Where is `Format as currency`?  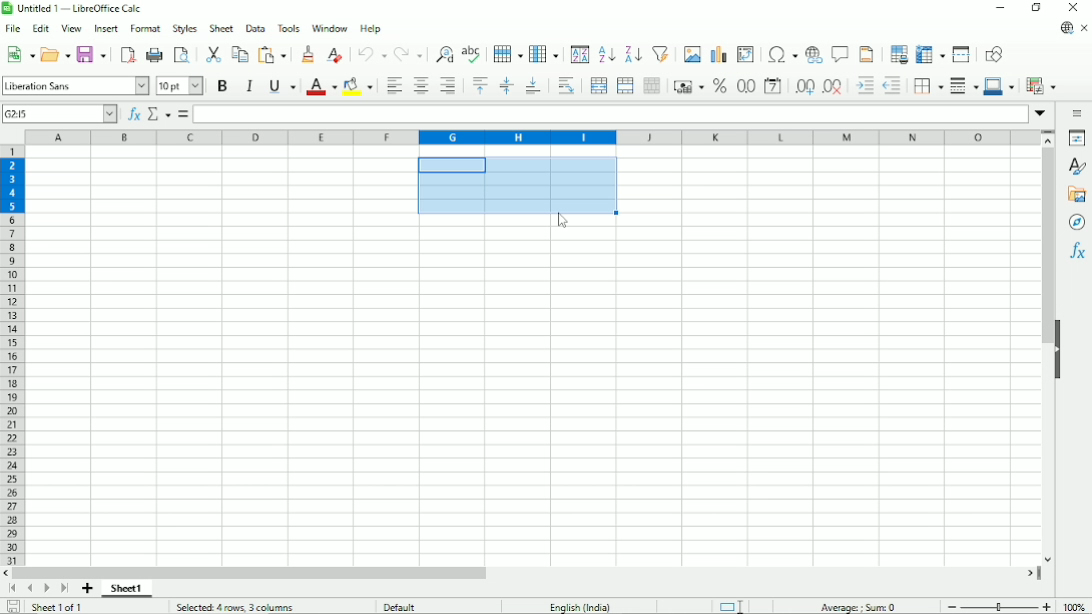 Format as currency is located at coordinates (688, 86).